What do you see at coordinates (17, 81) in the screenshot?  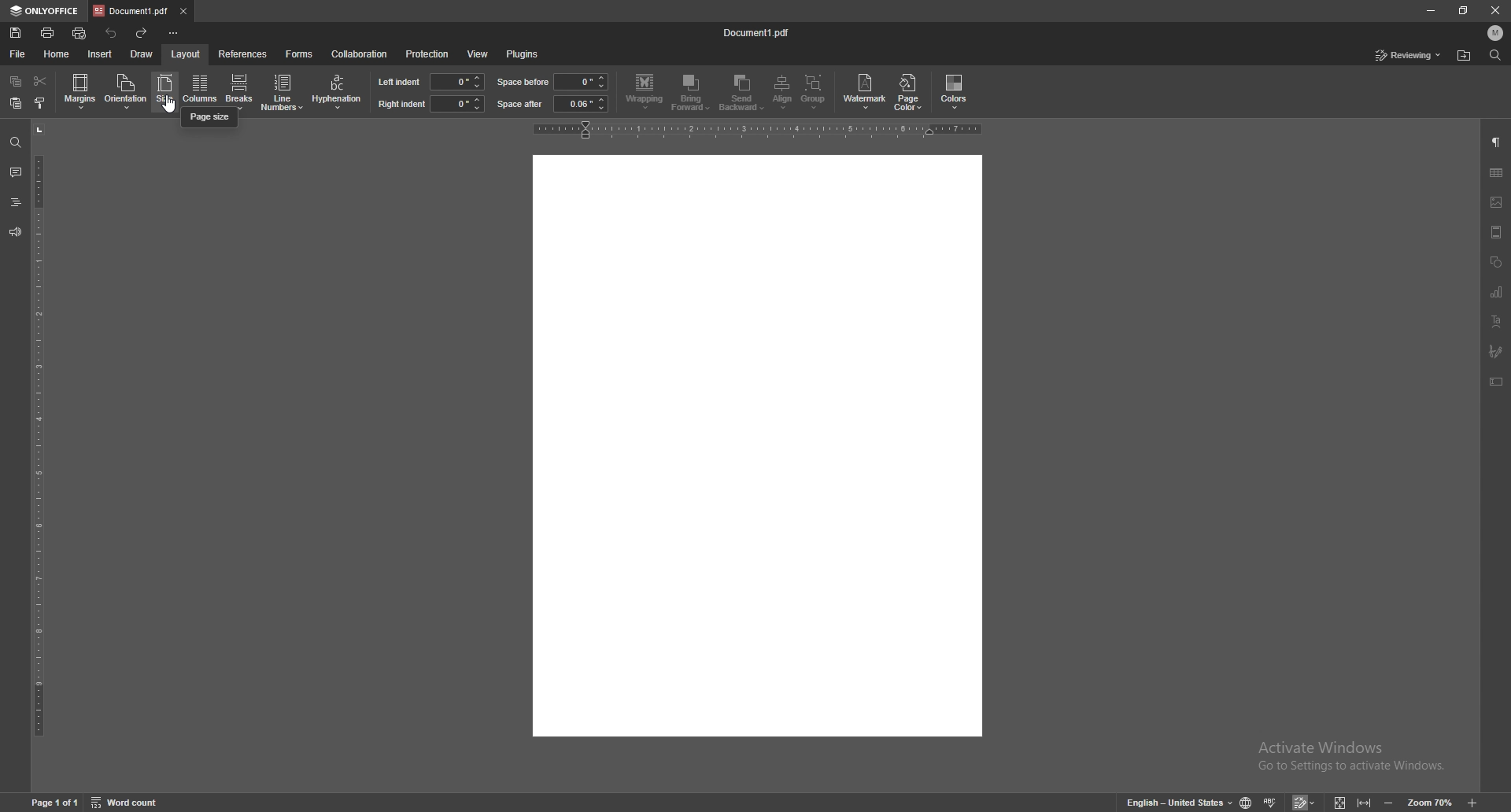 I see `copy` at bounding box center [17, 81].